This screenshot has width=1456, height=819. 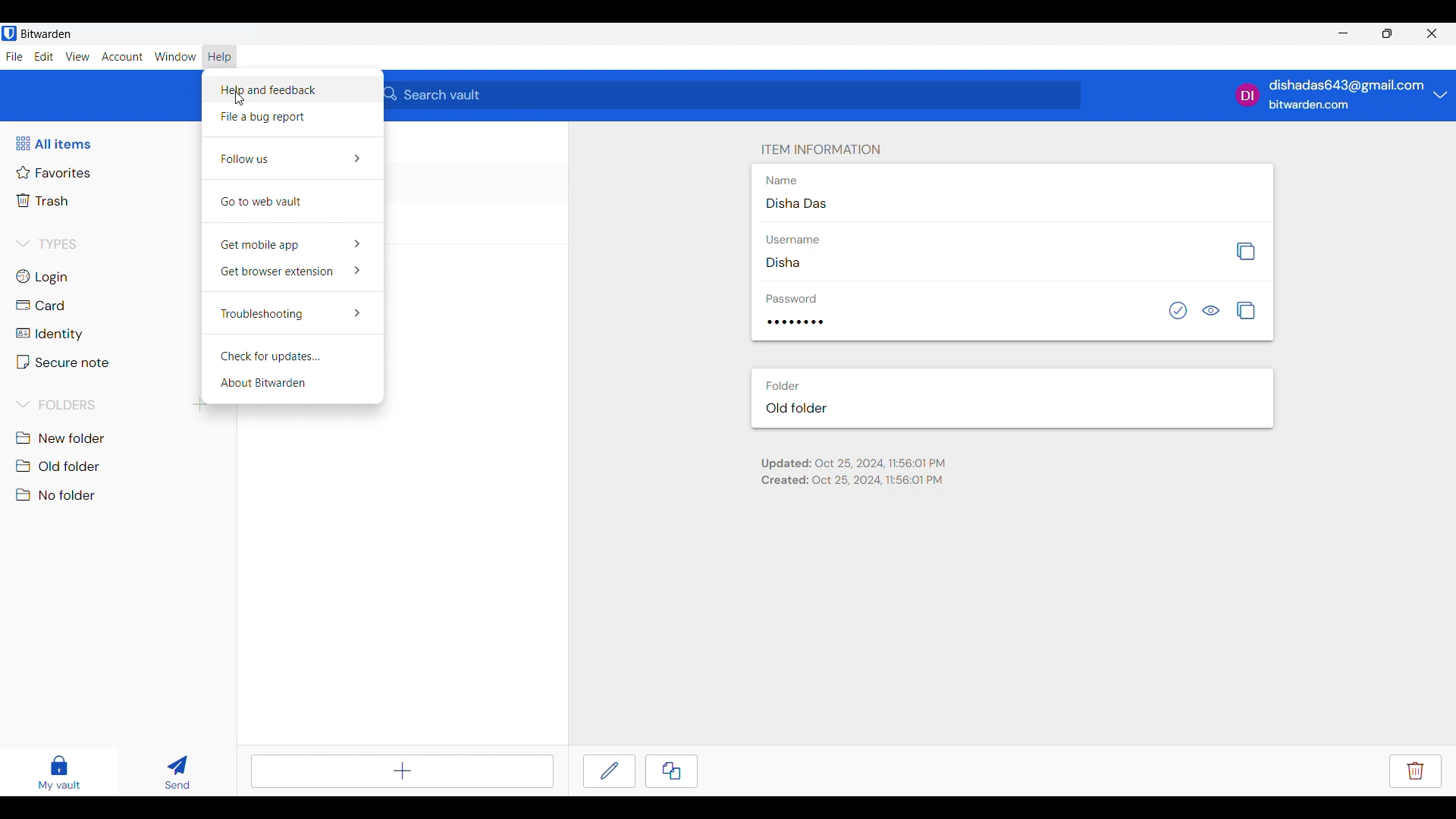 What do you see at coordinates (795, 322) in the screenshot?
I see `Encrypted password` at bounding box center [795, 322].